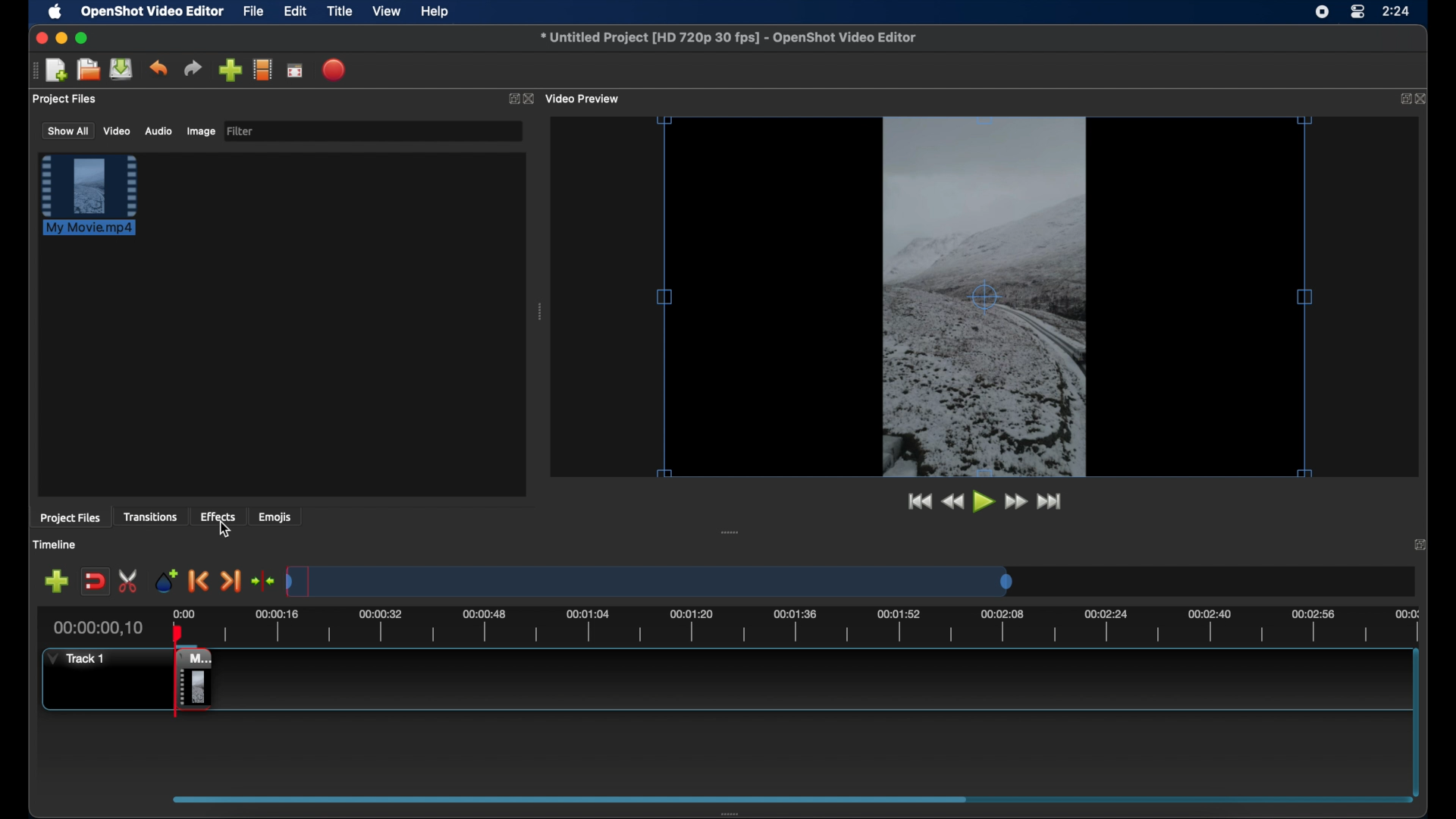  What do you see at coordinates (74, 660) in the screenshot?
I see `track 1` at bounding box center [74, 660].